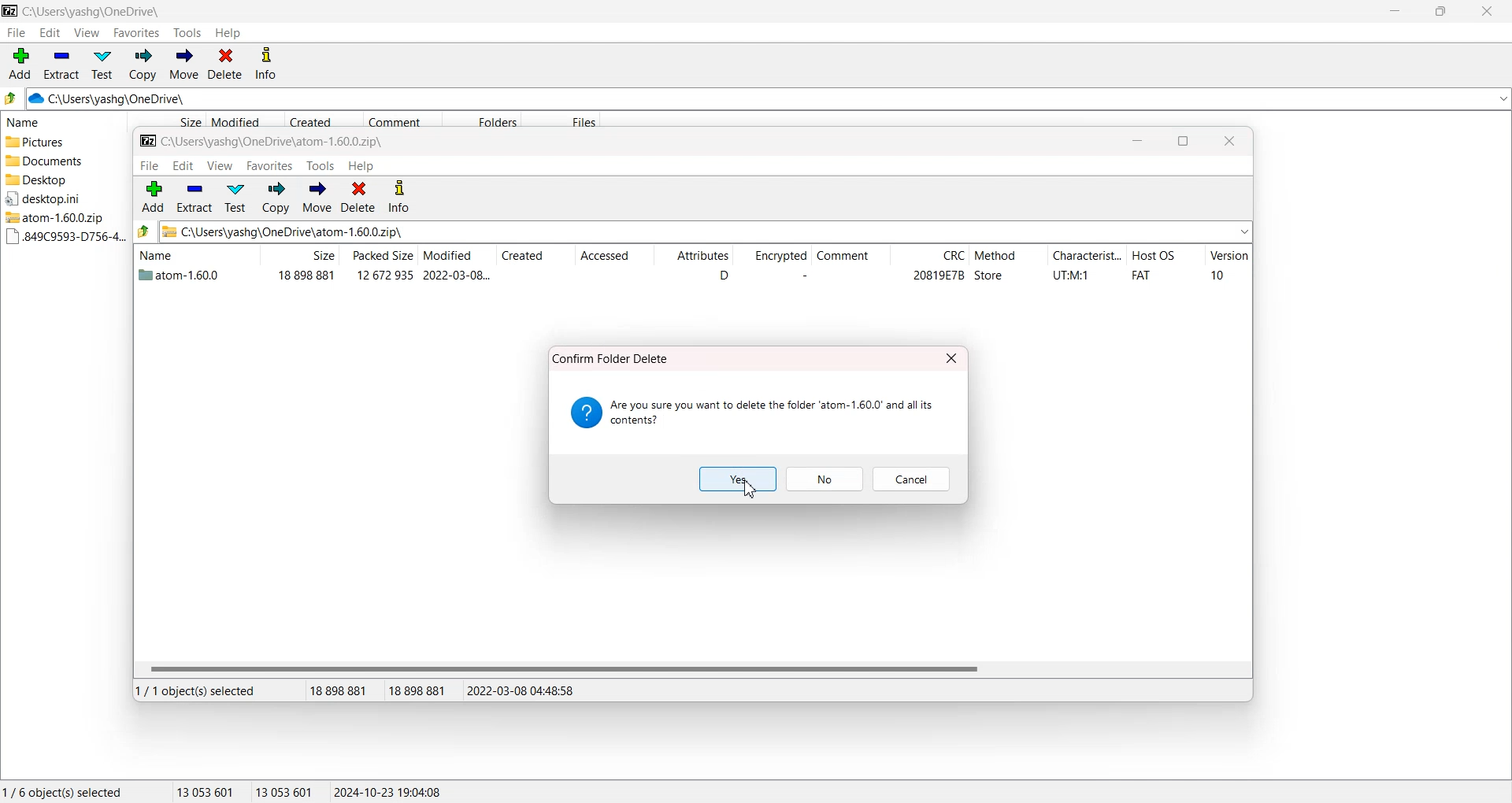 The image size is (1512, 803). Describe the element at coordinates (399, 198) in the screenshot. I see `info` at that location.